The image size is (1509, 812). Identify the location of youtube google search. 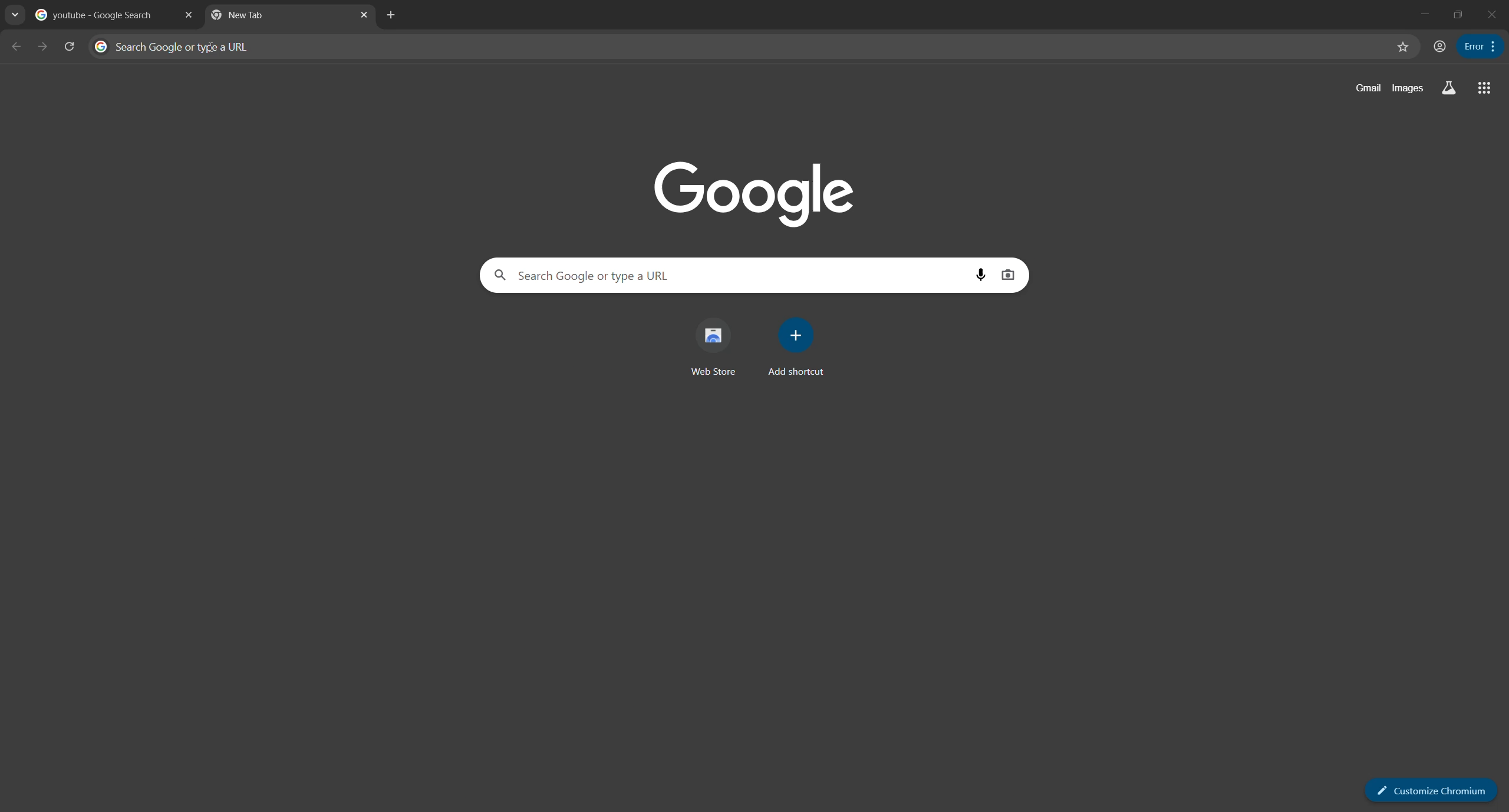
(97, 17).